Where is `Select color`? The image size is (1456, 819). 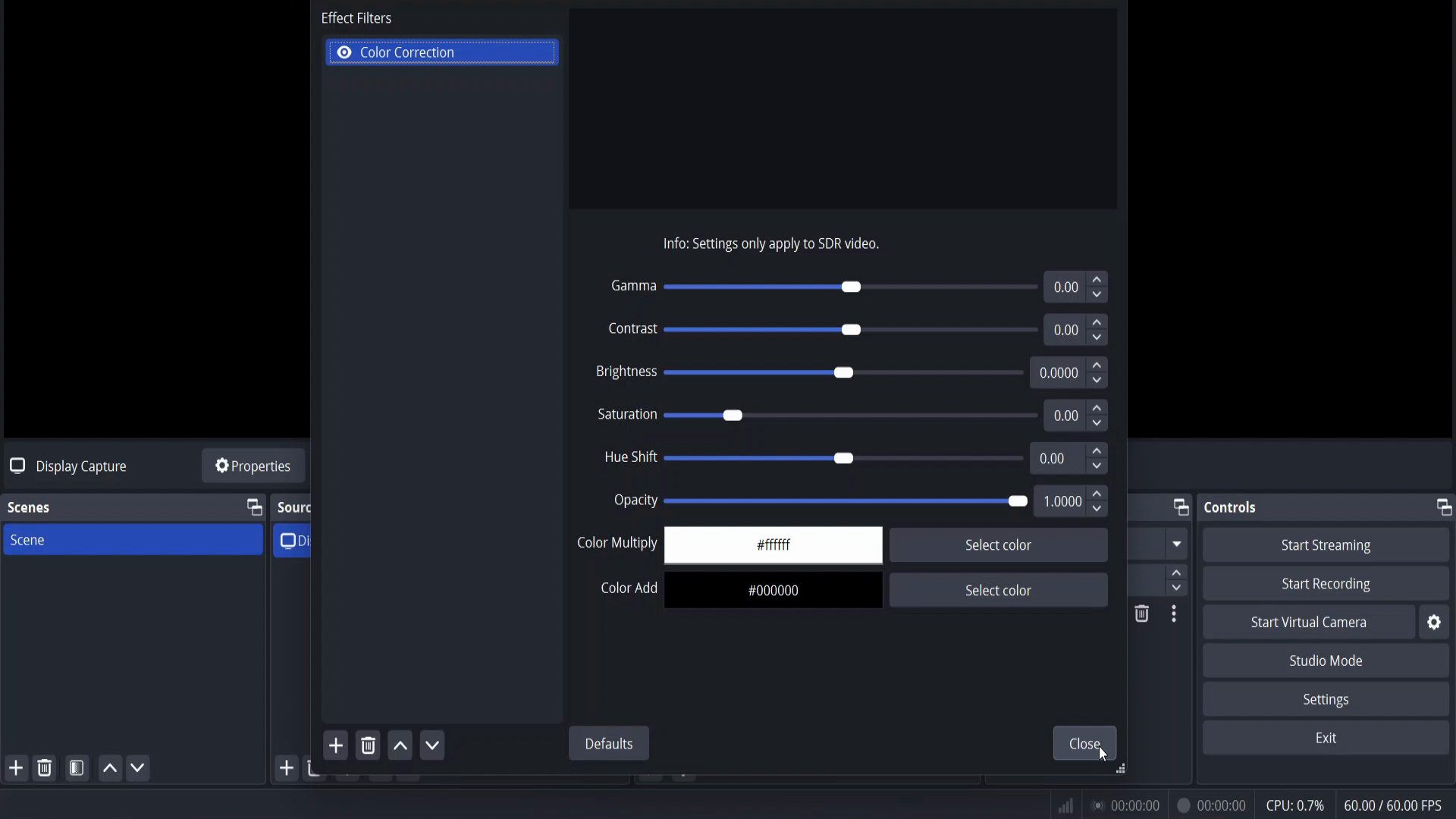
Select color is located at coordinates (999, 590).